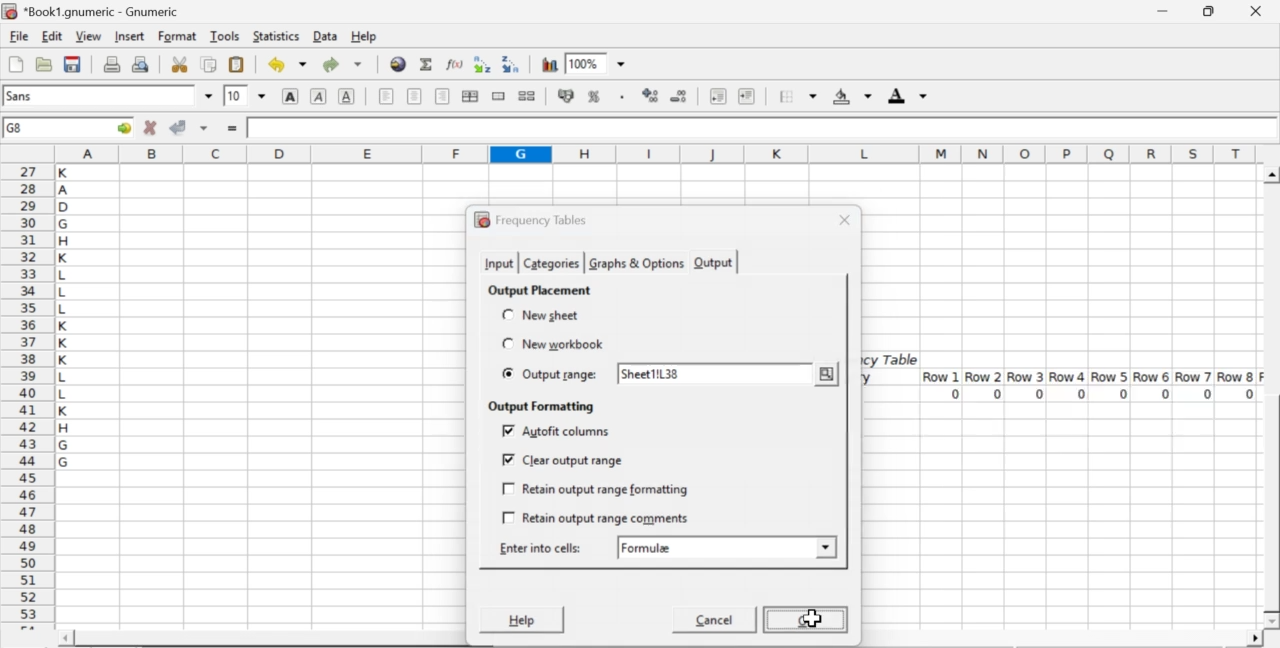  Describe the element at coordinates (620, 97) in the screenshot. I see `Set the format of the selected cells to include a thousands separator` at that location.